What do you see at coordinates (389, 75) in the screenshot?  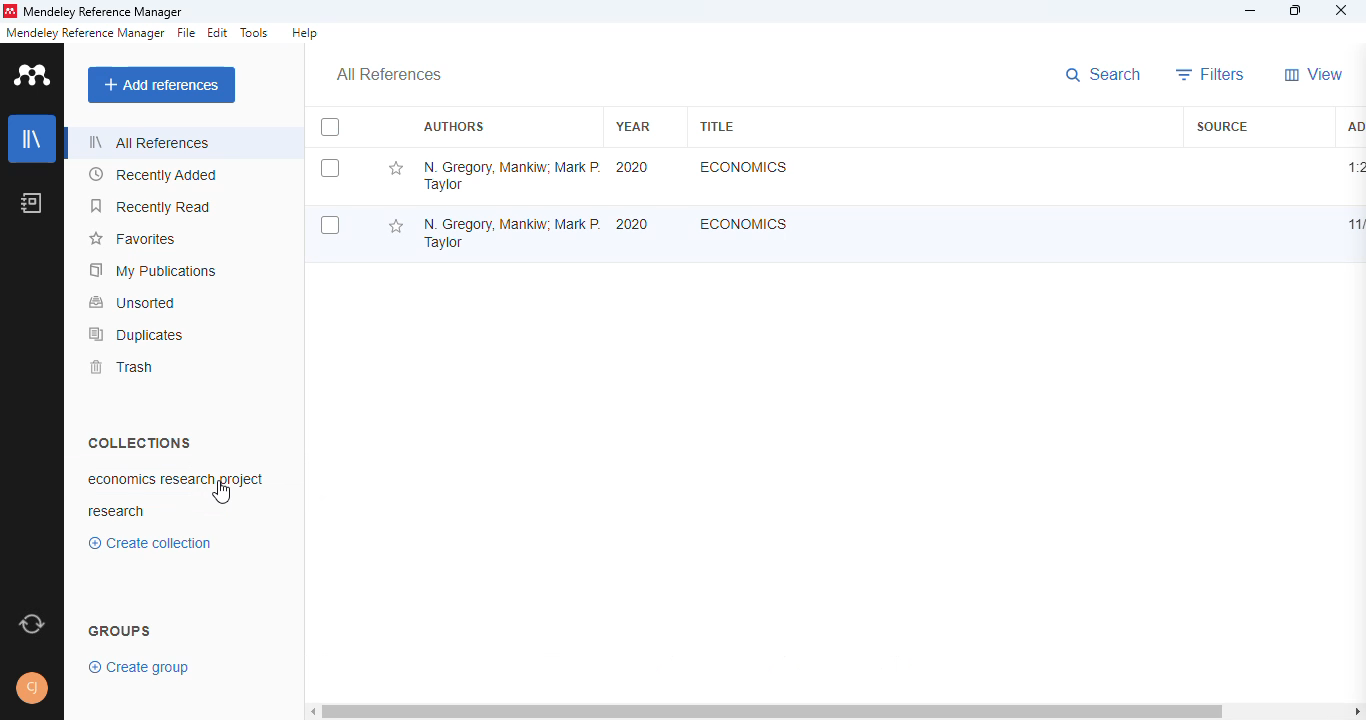 I see `all references` at bounding box center [389, 75].